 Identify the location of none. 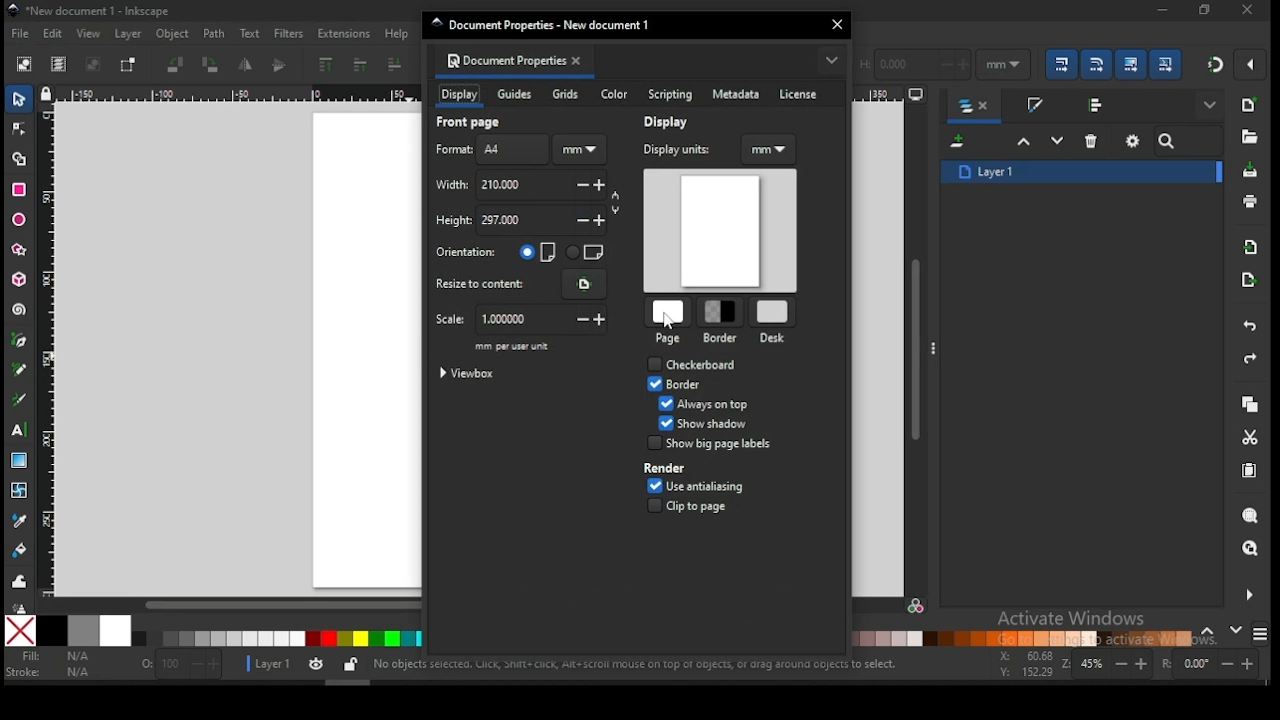
(20, 631).